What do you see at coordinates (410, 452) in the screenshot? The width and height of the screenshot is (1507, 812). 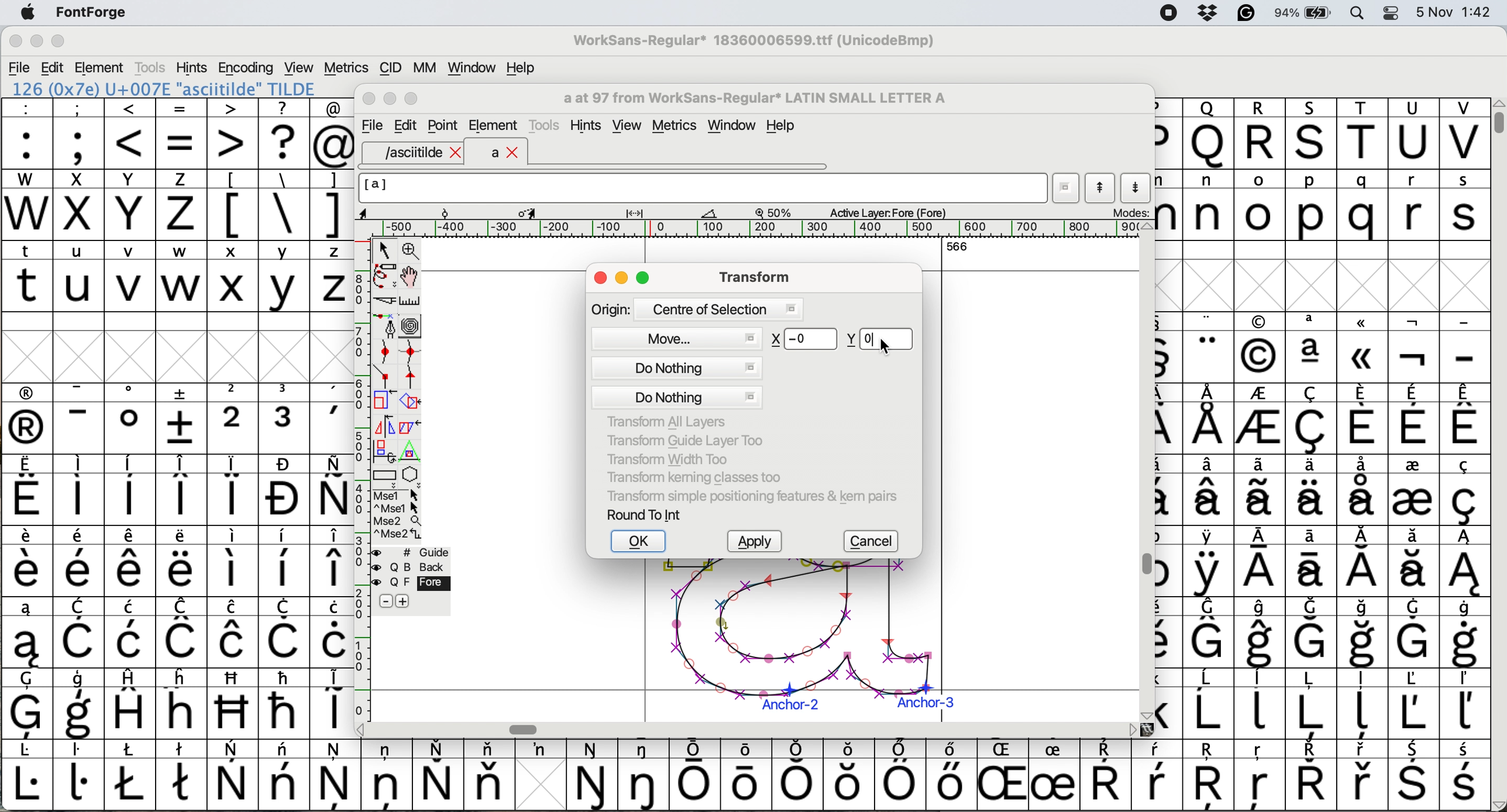 I see `perform a perspective transformation on selection` at bounding box center [410, 452].